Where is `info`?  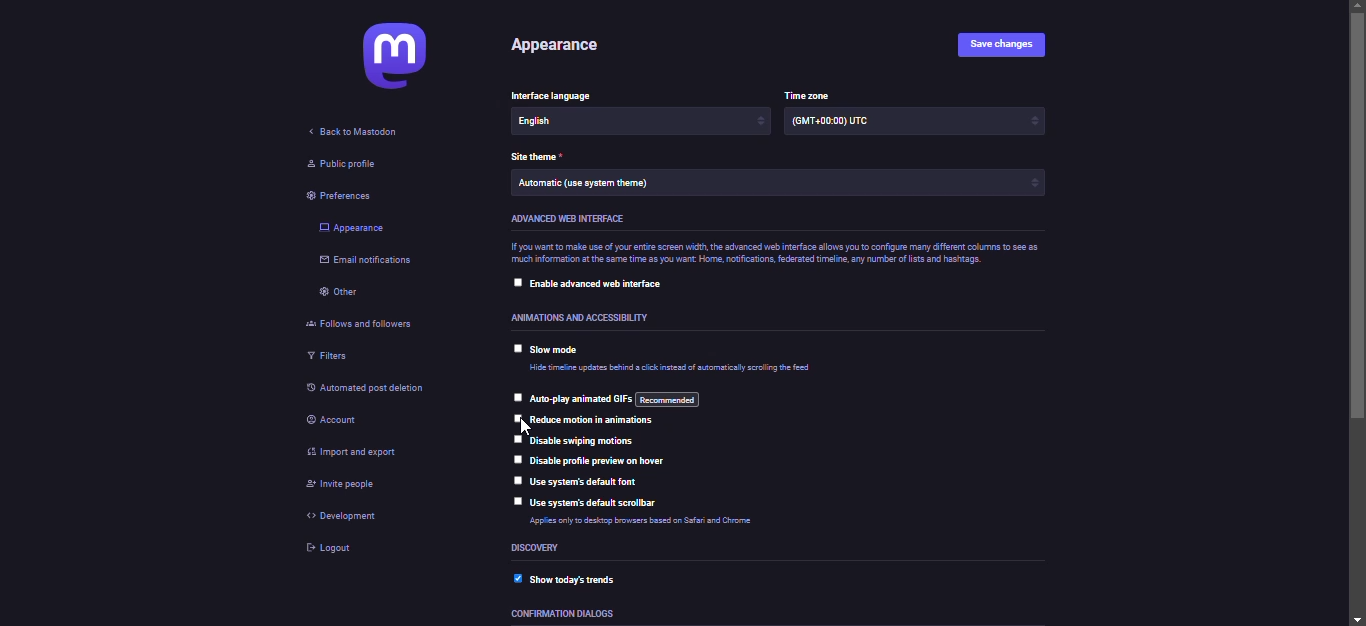 info is located at coordinates (783, 251).